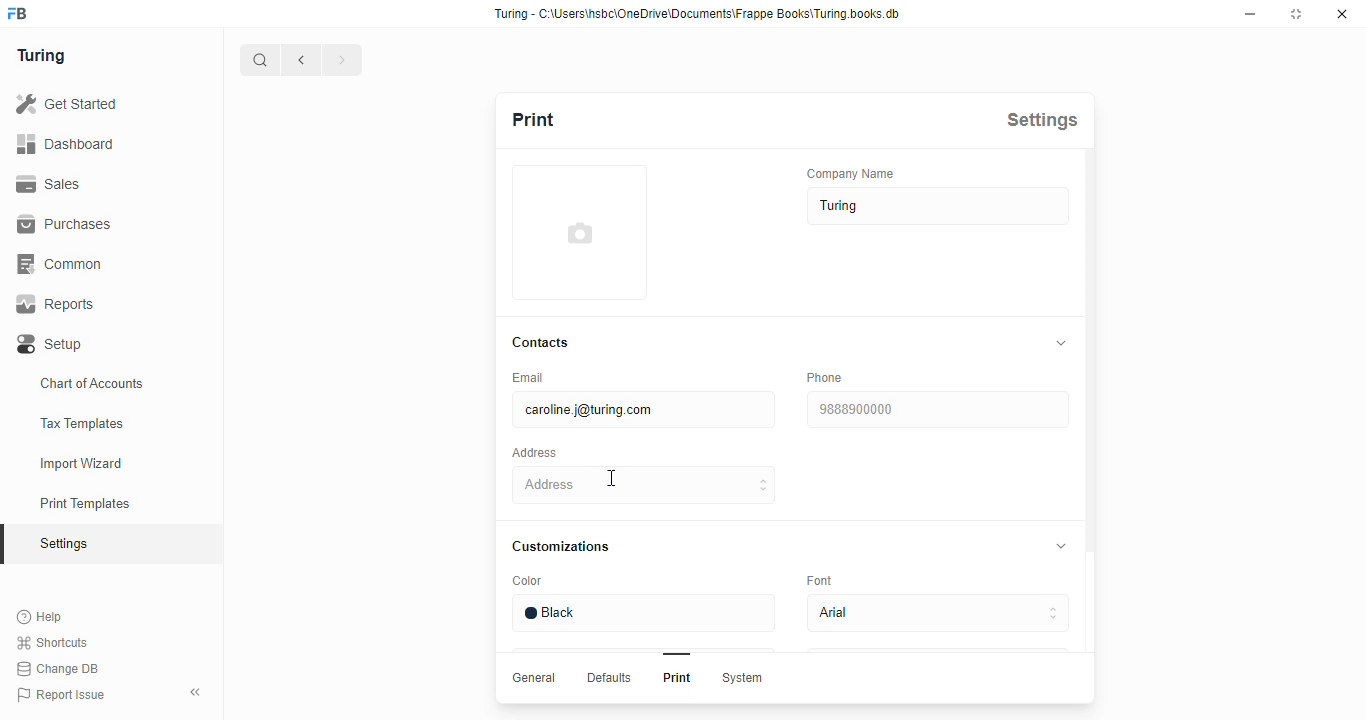 The height and width of the screenshot is (720, 1366). I want to click on caroline.j@turing.com, so click(645, 409).